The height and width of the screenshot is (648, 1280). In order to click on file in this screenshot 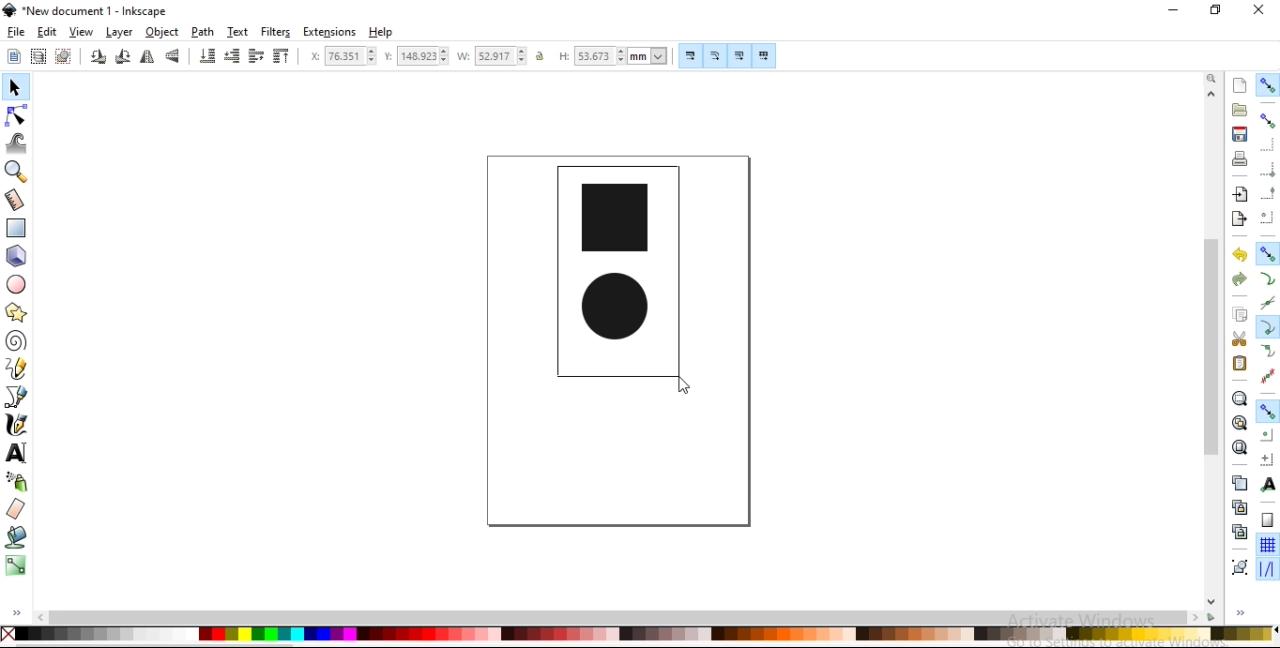, I will do `click(17, 32)`.